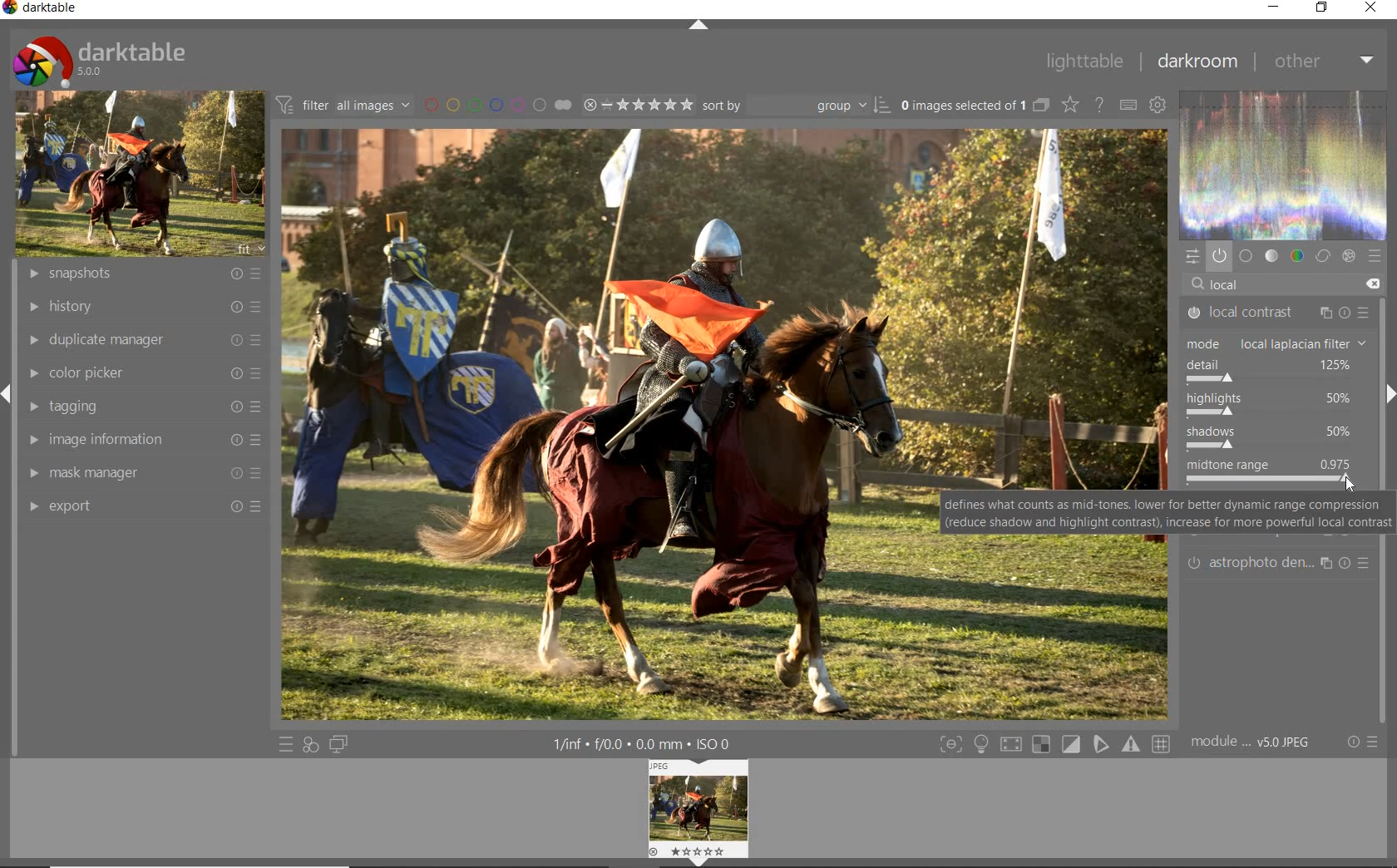  Describe the element at coordinates (497, 104) in the screenshot. I see `filter by image color label` at that location.